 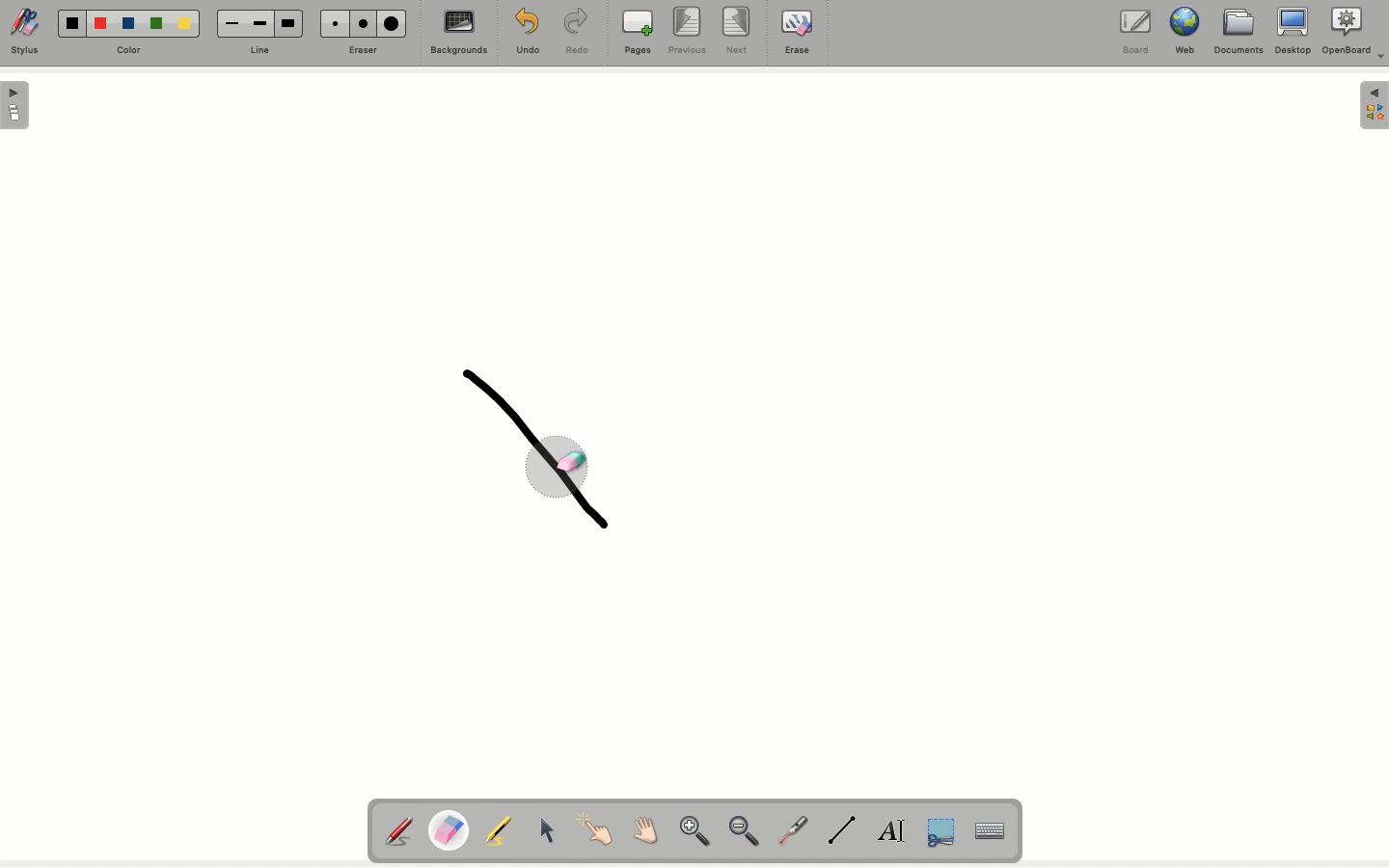 I want to click on Medium, so click(x=366, y=24).